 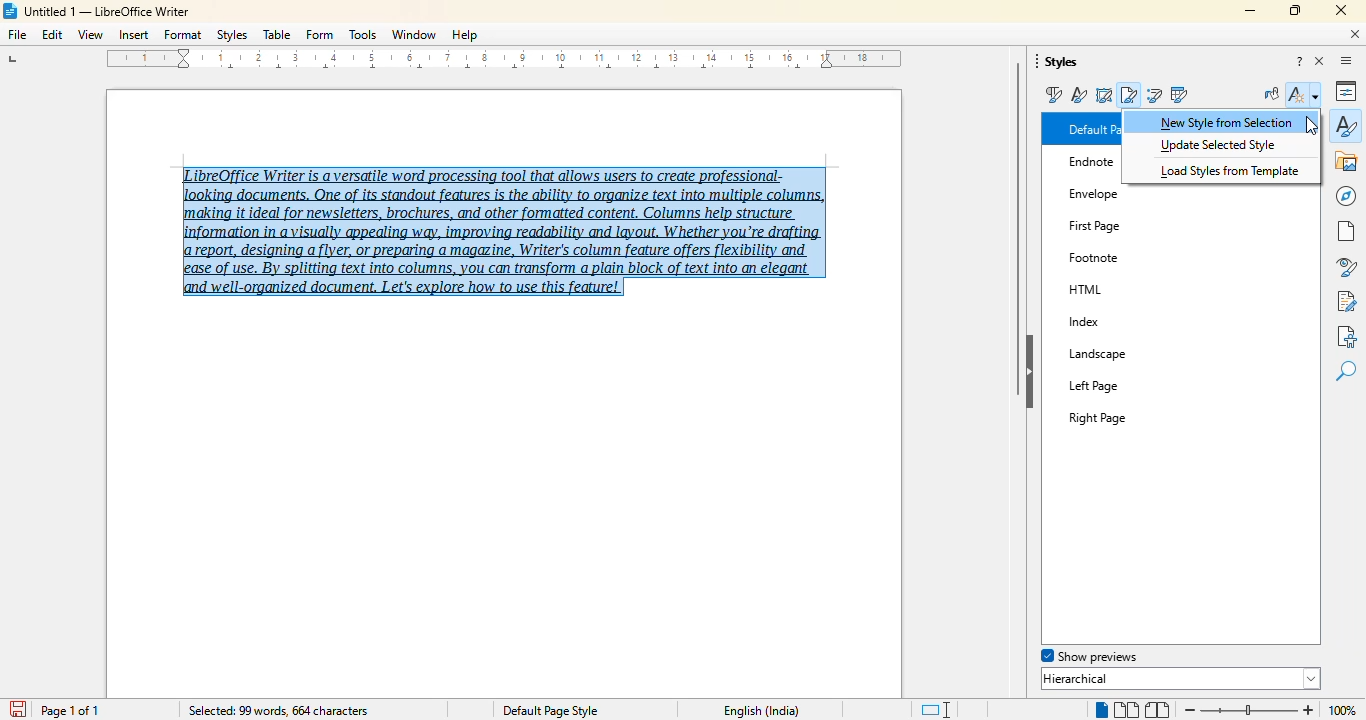 I want to click on character styles, so click(x=1080, y=95).